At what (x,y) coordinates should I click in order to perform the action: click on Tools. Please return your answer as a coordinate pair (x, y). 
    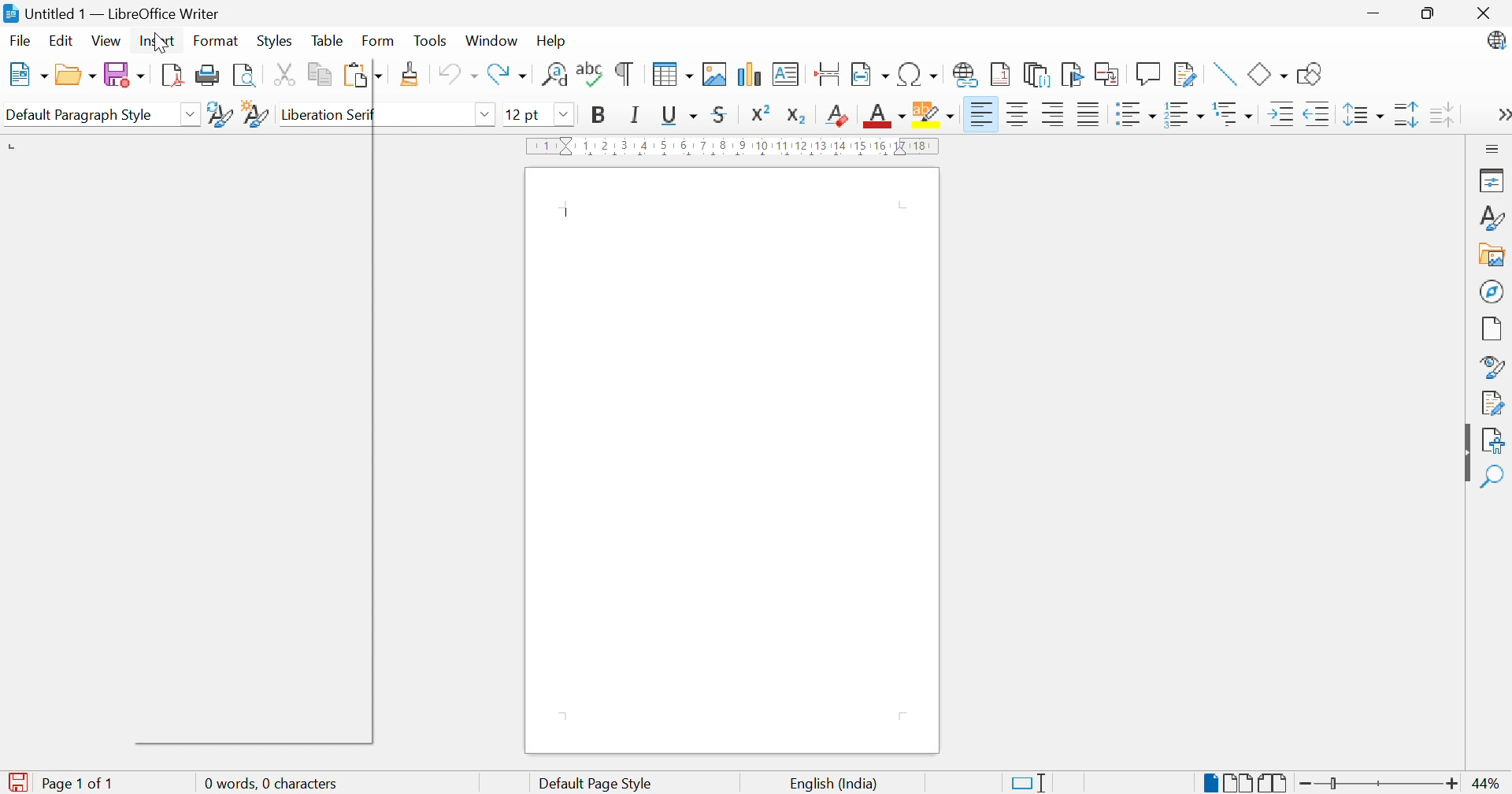
    Looking at the image, I should click on (430, 41).